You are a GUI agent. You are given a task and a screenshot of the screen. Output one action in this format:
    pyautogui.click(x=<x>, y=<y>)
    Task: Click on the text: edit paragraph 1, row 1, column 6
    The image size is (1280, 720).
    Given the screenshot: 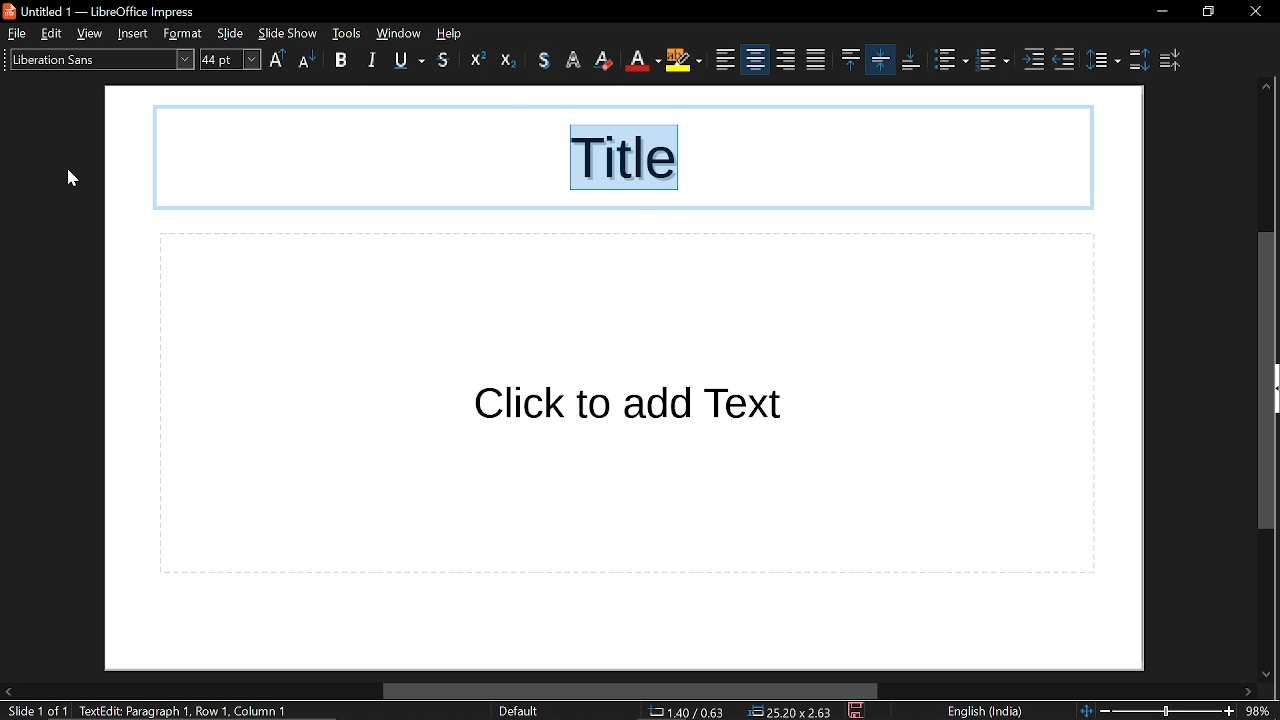 What is the action you would take?
    pyautogui.click(x=191, y=711)
    